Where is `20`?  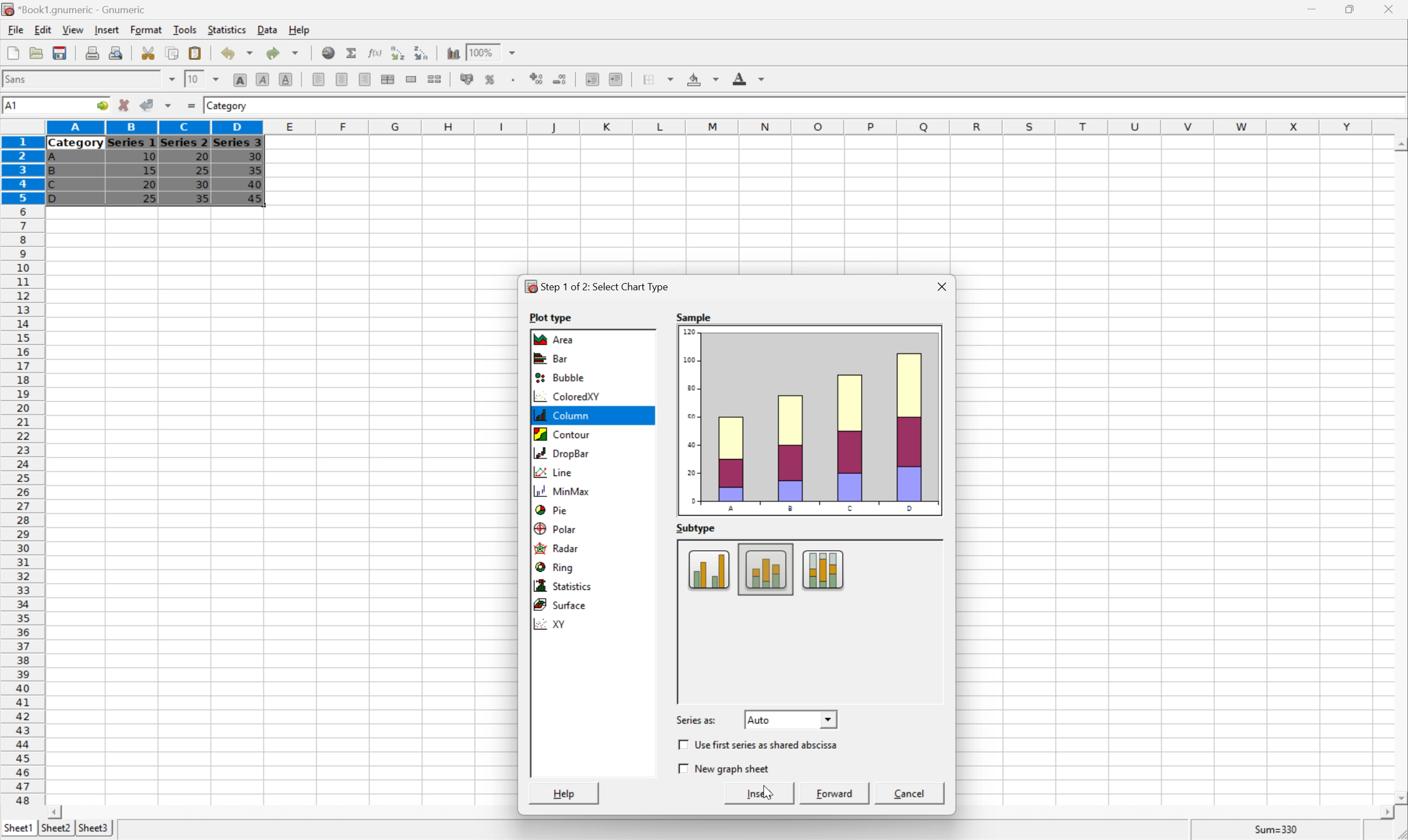 20 is located at coordinates (200, 155).